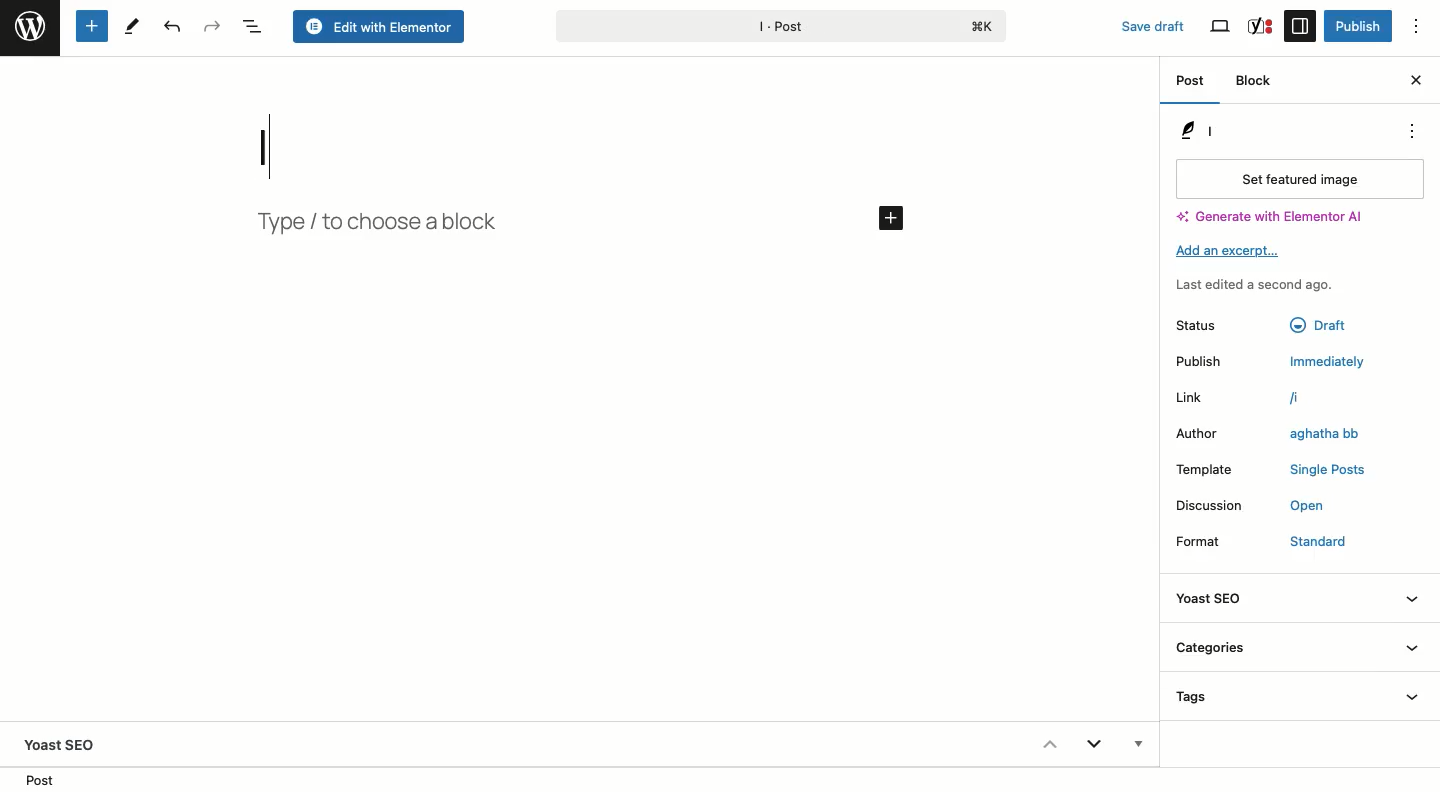 This screenshot has height=792, width=1440. What do you see at coordinates (1222, 27) in the screenshot?
I see `View` at bounding box center [1222, 27].